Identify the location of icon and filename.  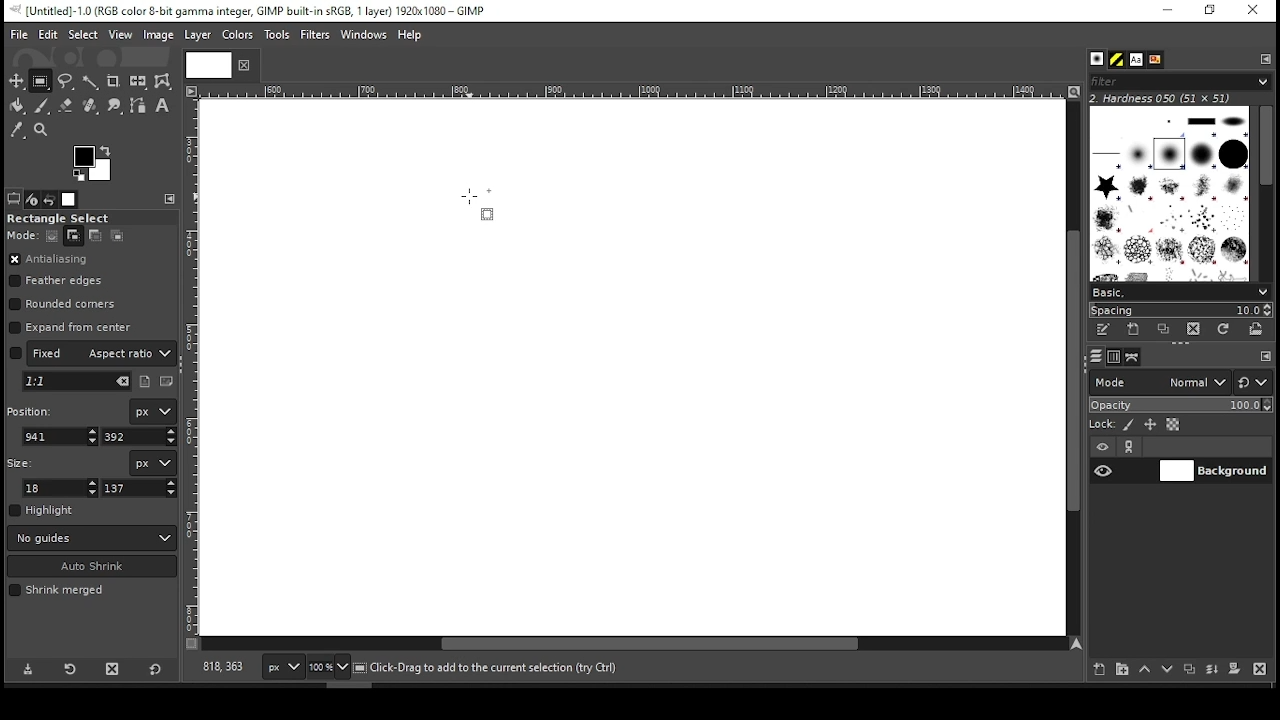
(252, 9).